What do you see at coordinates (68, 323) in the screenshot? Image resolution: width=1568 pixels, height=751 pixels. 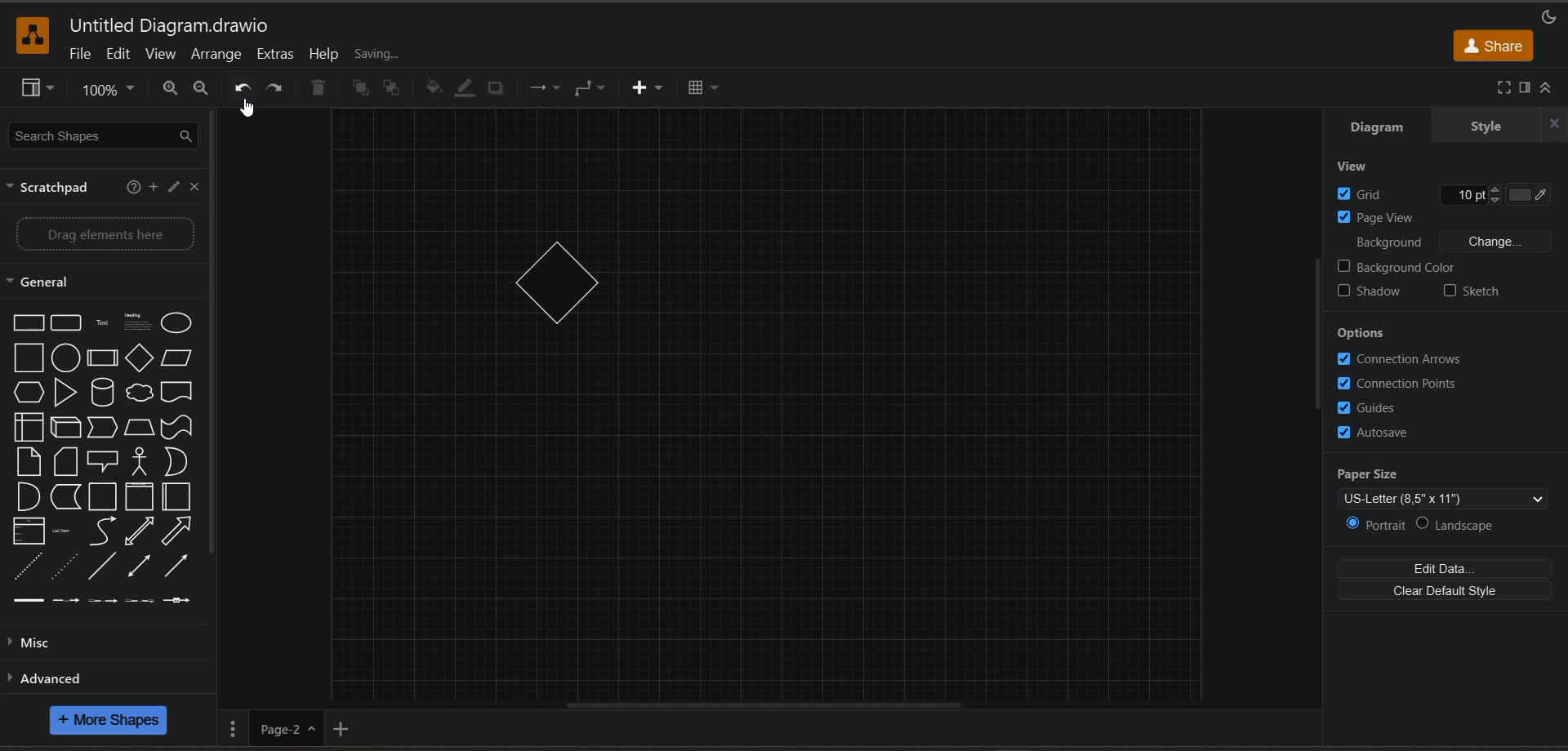 I see `Rounded Rectangle` at bounding box center [68, 323].